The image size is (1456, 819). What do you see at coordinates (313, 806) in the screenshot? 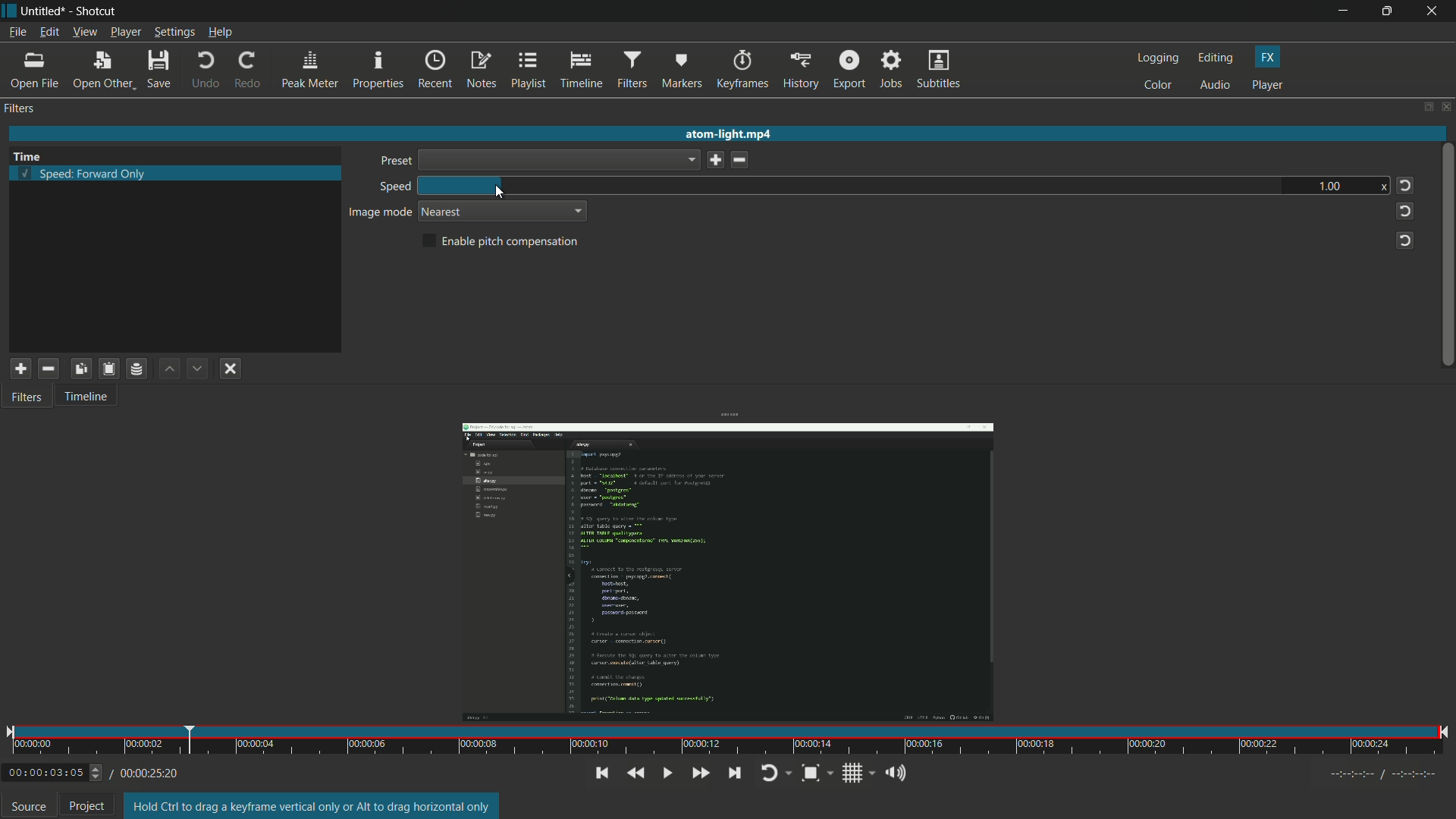
I see `Hold Ctrl to drag a keyframe vertical only or Alt to drag horizontal only` at bounding box center [313, 806].